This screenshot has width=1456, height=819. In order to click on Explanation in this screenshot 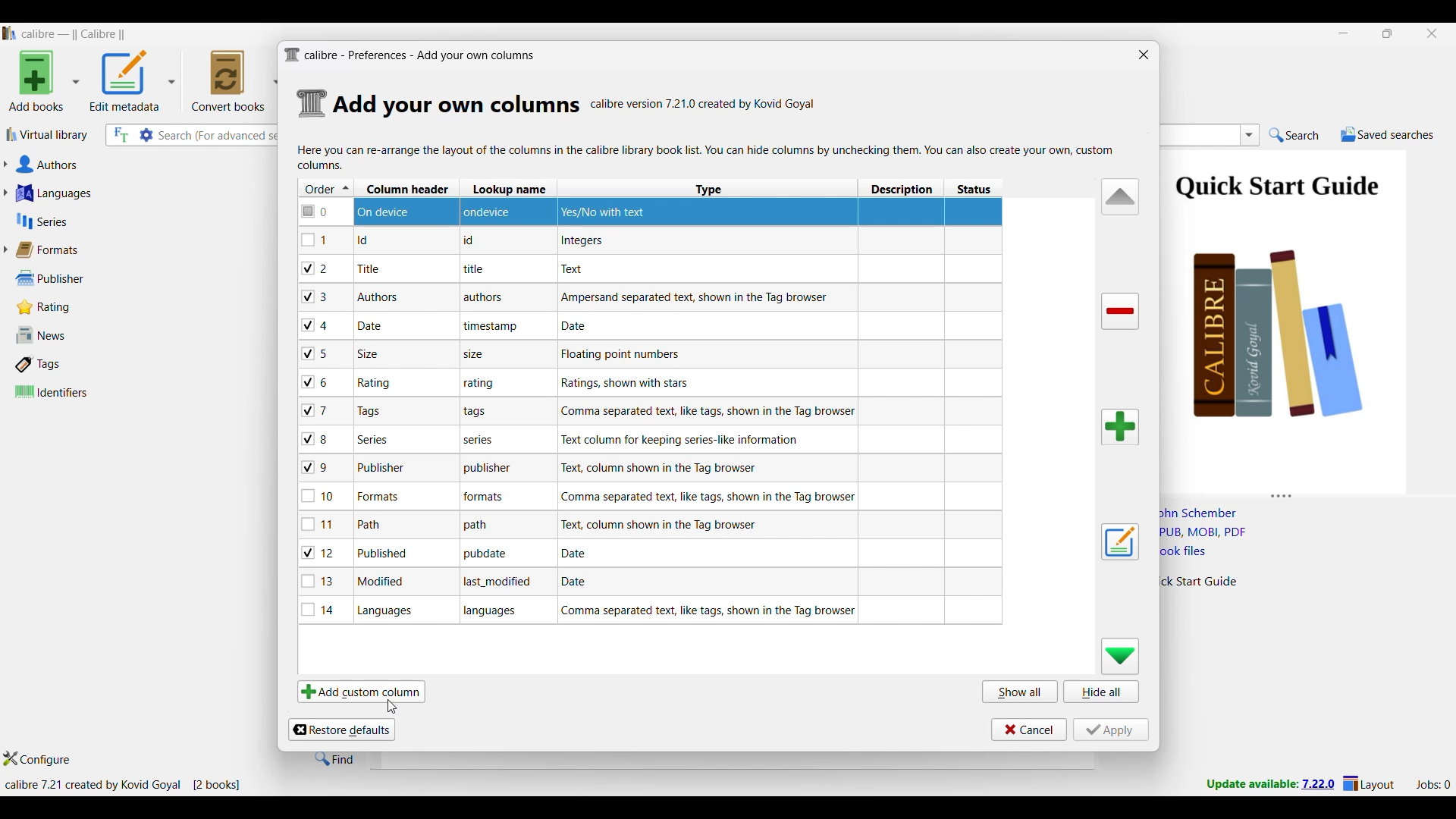, I will do `click(581, 582)`.